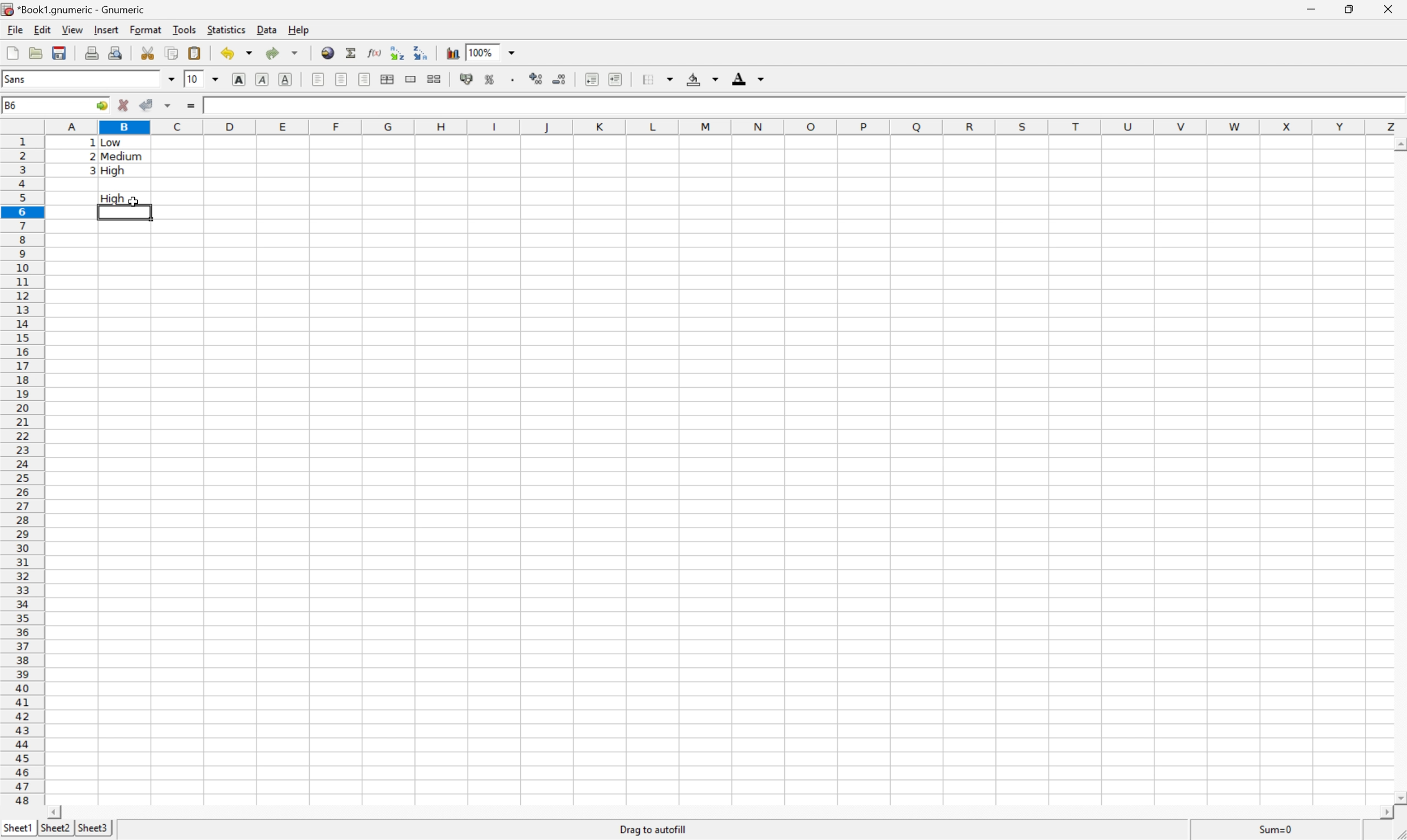 The height and width of the screenshot is (840, 1407). I want to click on Data, so click(267, 30).